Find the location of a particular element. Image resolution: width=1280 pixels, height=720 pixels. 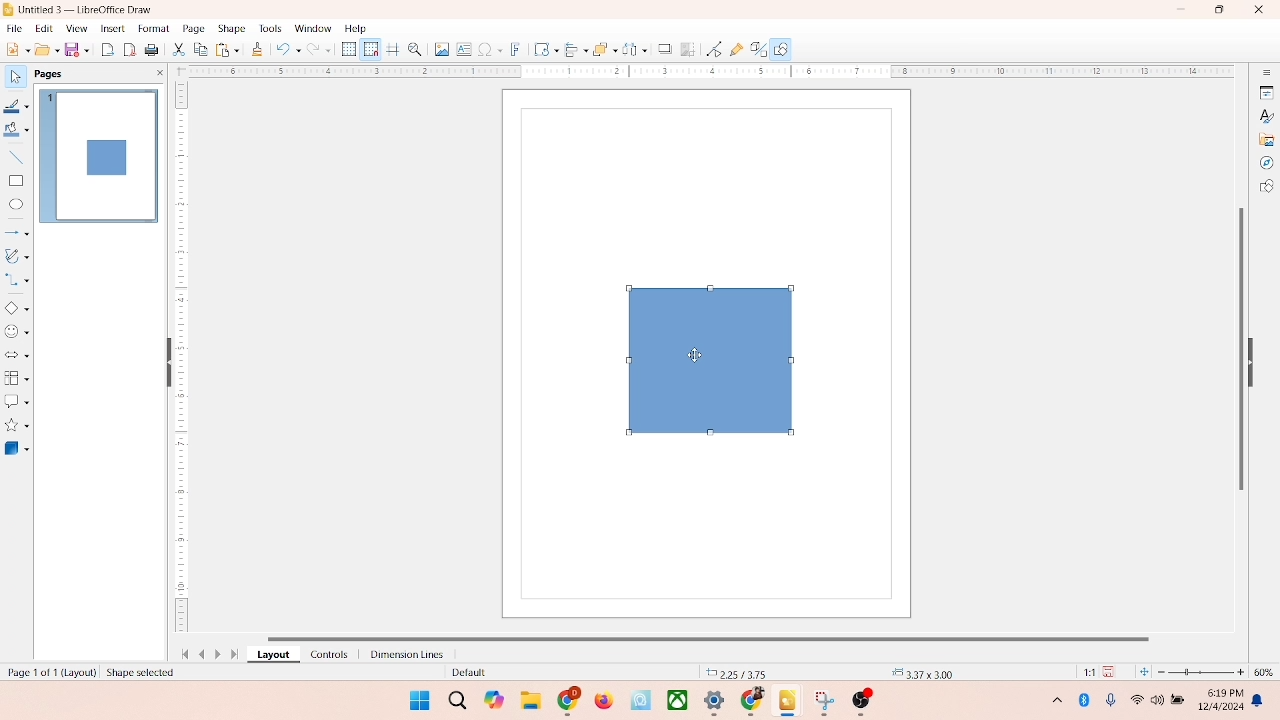

cut is located at coordinates (179, 51).